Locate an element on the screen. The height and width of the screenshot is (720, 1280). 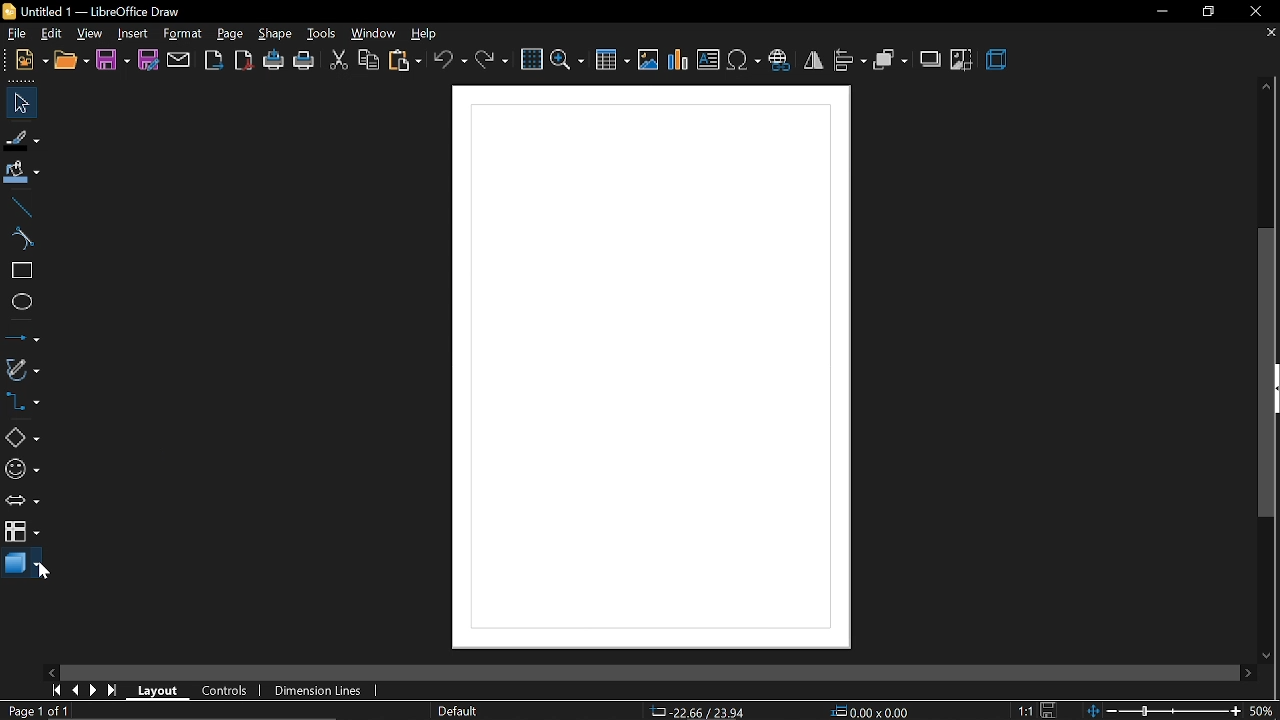
minimize is located at coordinates (1159, 12).